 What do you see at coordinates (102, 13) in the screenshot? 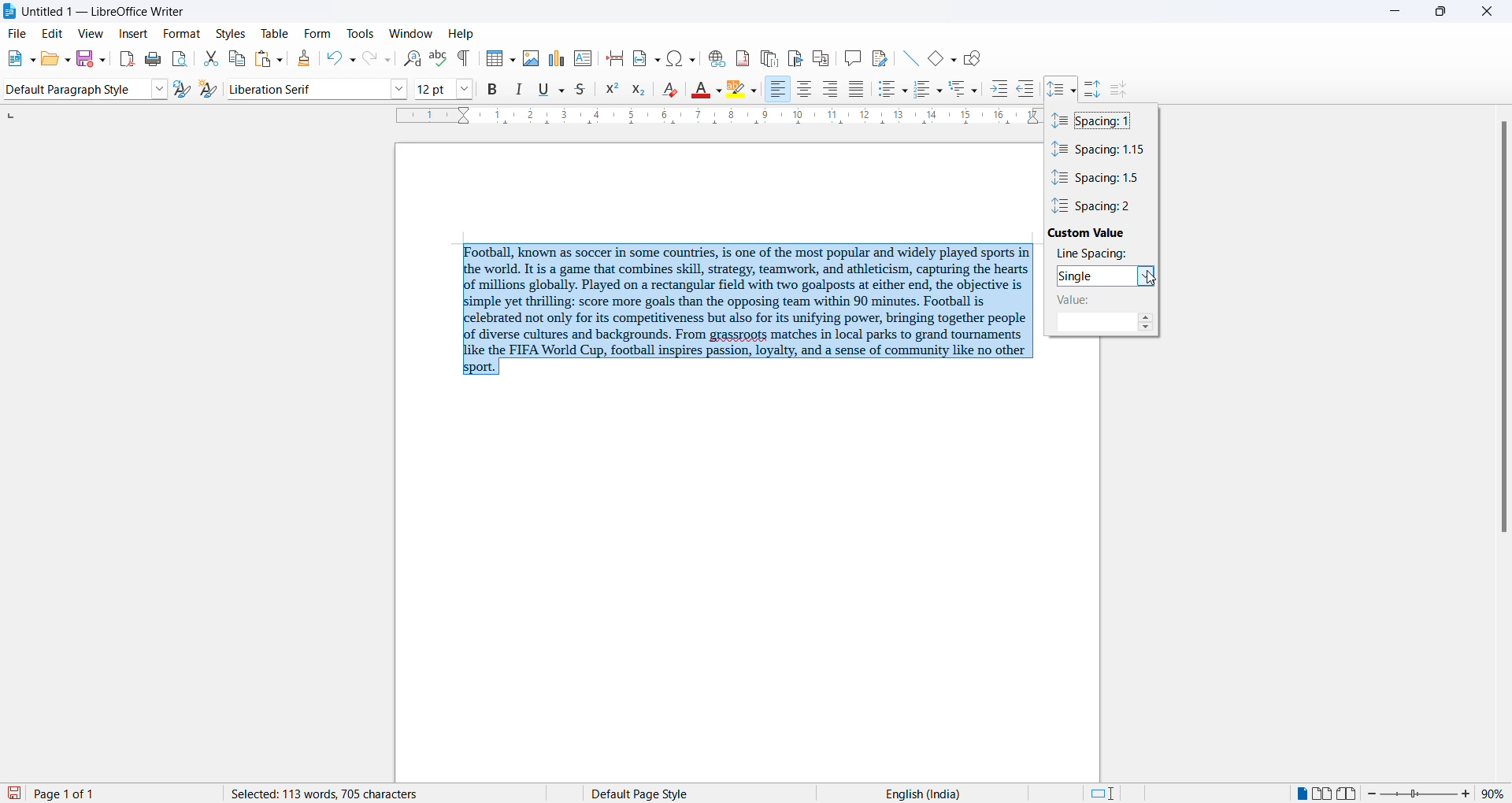
I see `file title` at bounding box center [102, 13].